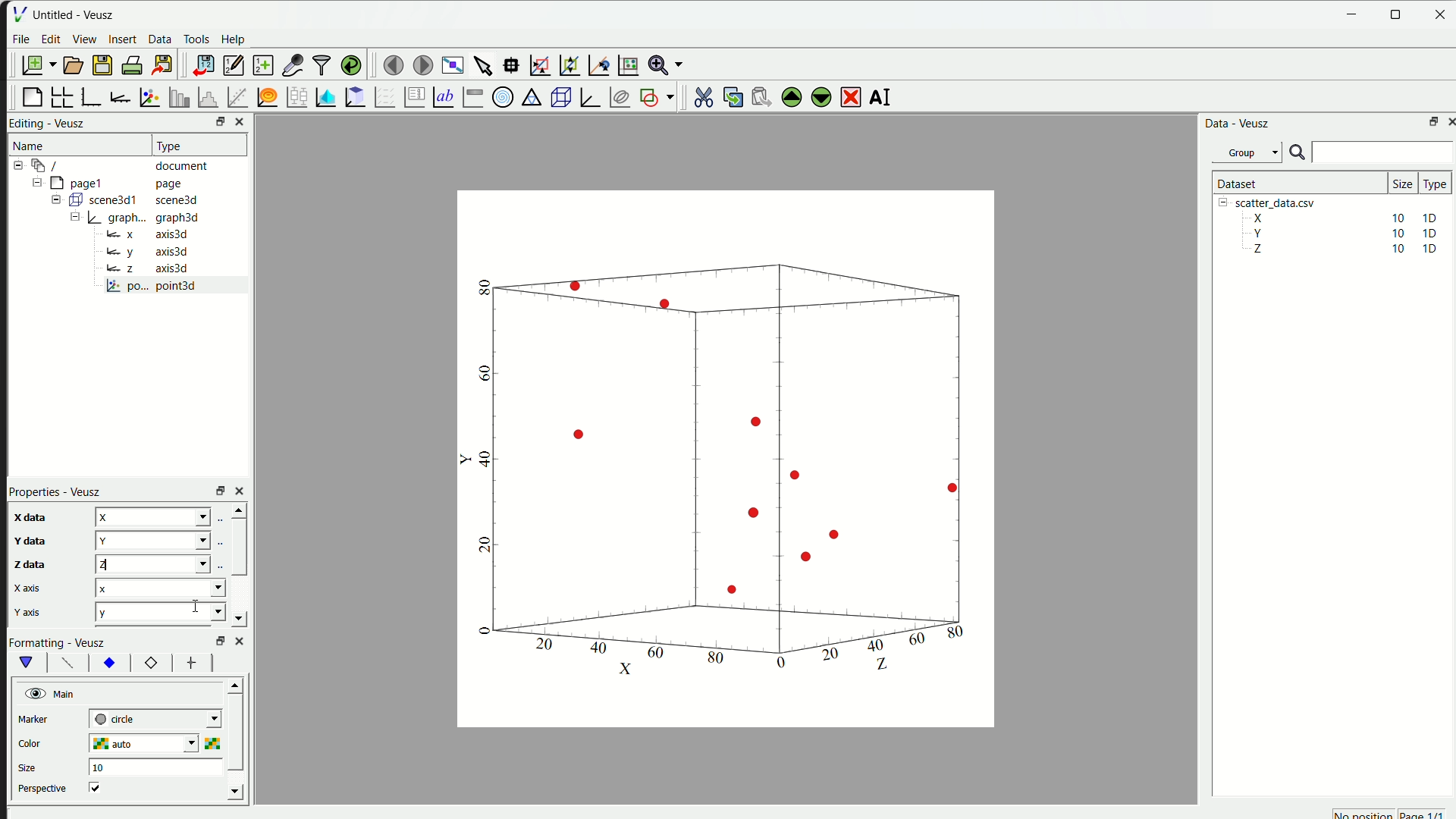 Image resolution: width=1456 pixels, height=819 pixels. Describe the element at coordinates (28, 98) in the screenshot. I see `blank page` at that location.